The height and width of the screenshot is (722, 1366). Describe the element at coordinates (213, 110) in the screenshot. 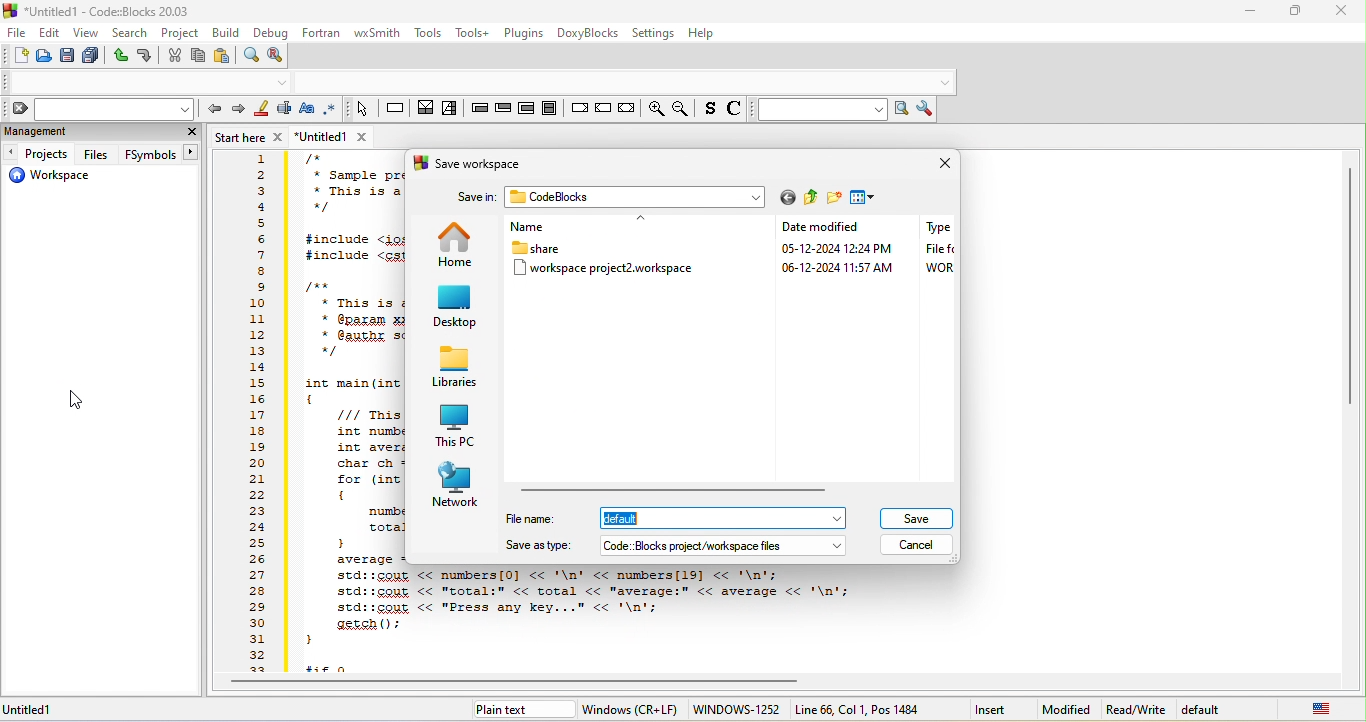

I see `prev` at that location.